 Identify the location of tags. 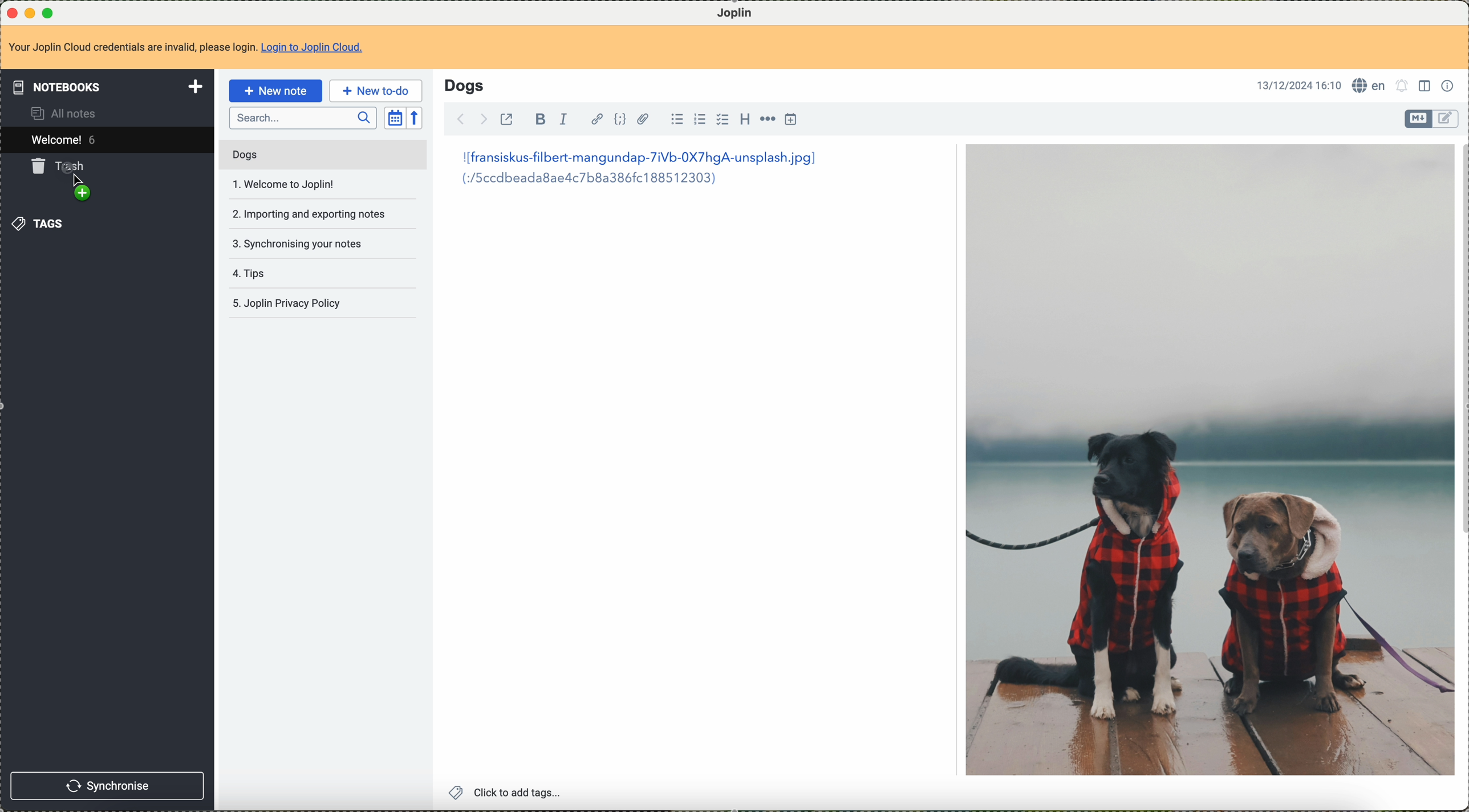
(42, 226).